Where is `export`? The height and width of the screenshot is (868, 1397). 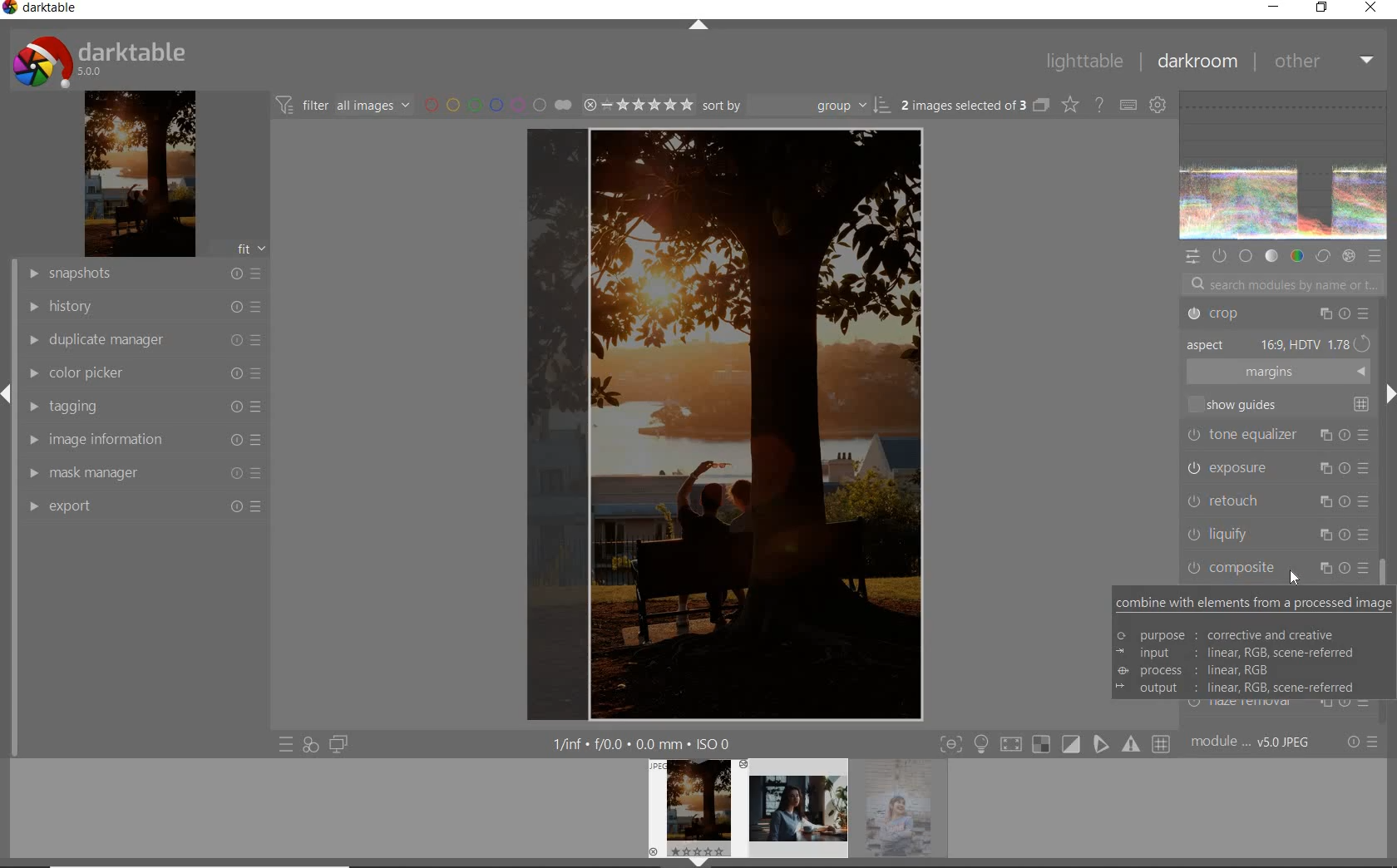 export is located at coordinates (143, 506).